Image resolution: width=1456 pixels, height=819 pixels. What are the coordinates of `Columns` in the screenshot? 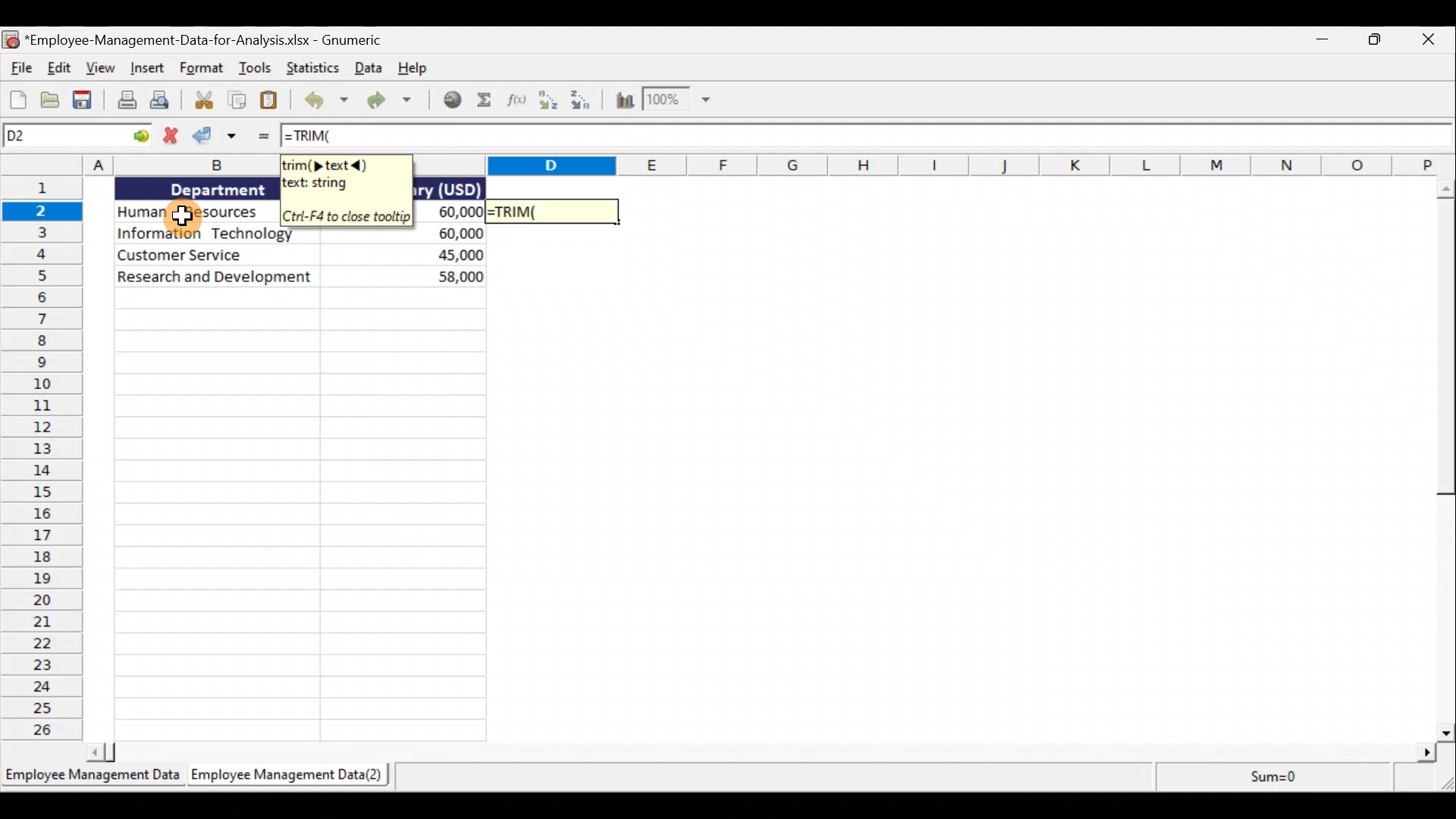 It's located at (926, 165).